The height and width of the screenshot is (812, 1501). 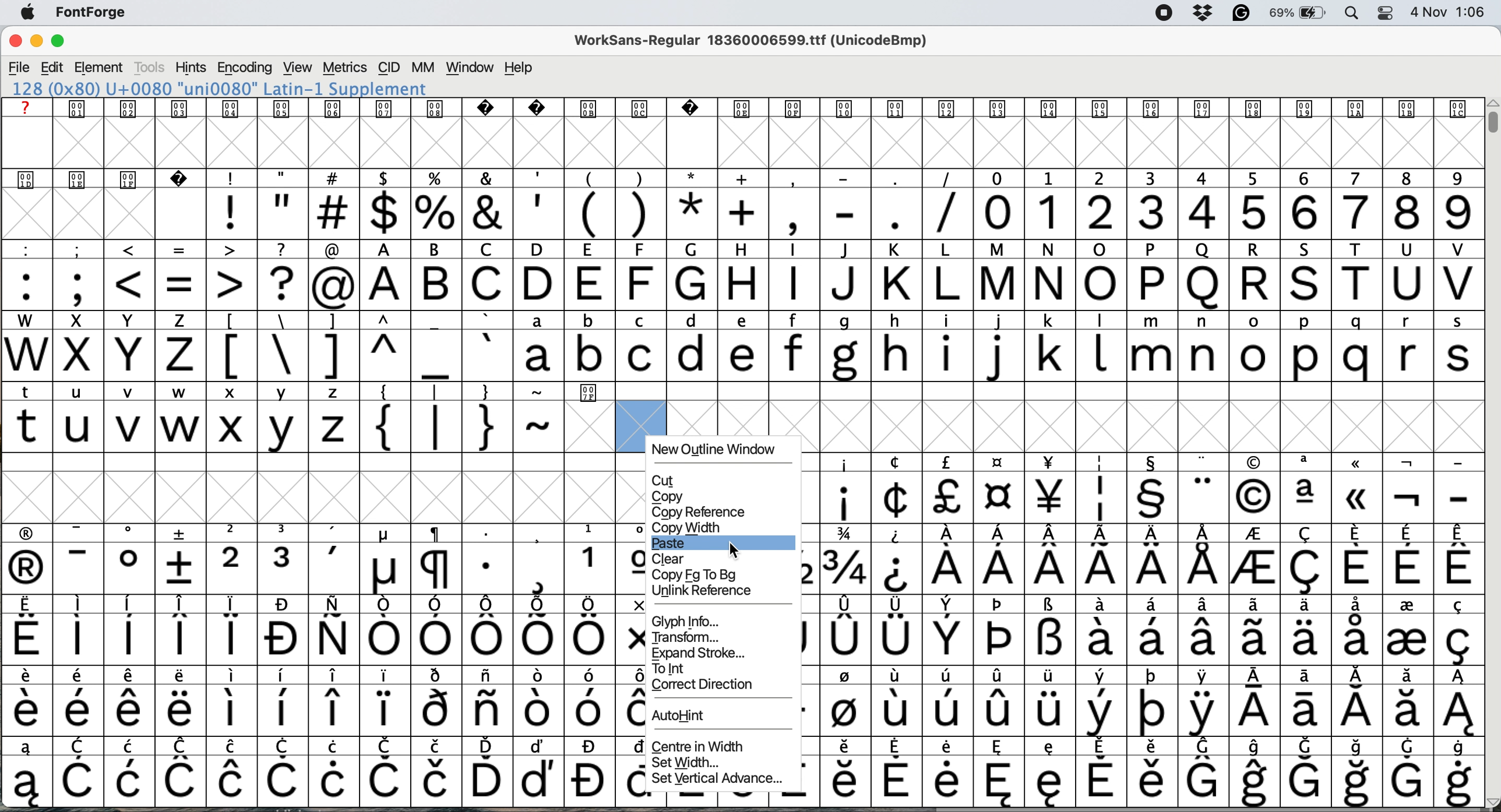 I want to click on data cells, so click(x=1045, y=391).